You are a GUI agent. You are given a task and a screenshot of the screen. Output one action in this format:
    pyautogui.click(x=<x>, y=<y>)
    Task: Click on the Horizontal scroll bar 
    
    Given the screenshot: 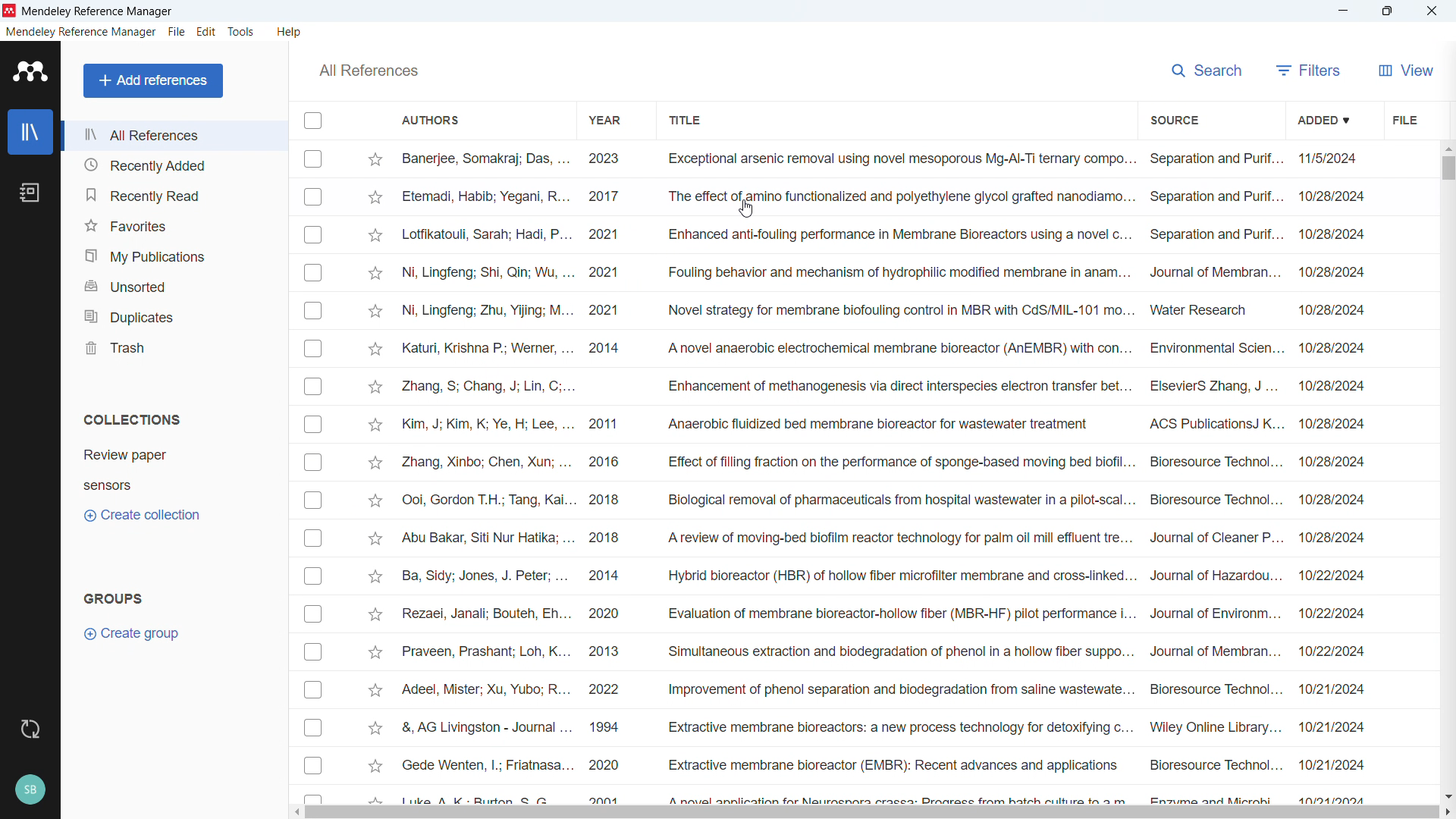 What is the action you would take?
    pyautogui.click(x=871, y=812)
    